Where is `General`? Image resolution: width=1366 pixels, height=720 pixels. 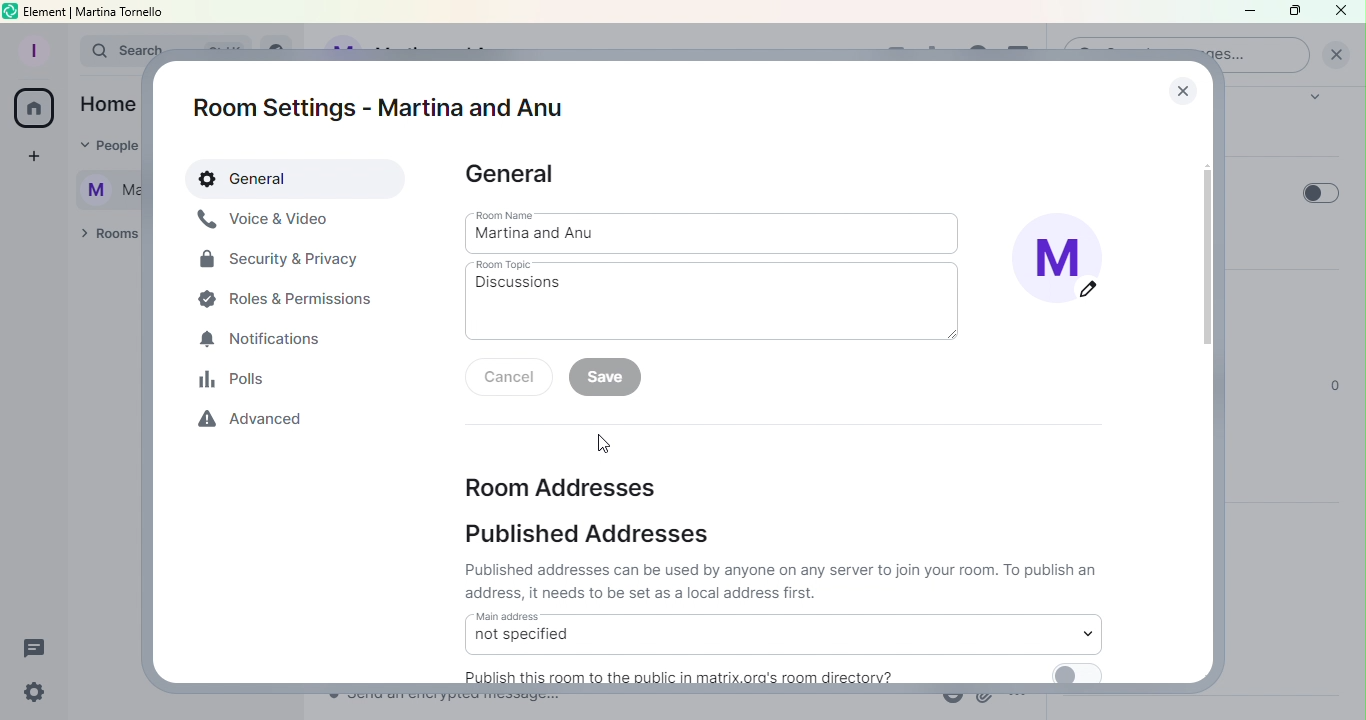 General is located at coordinates (513, 175).